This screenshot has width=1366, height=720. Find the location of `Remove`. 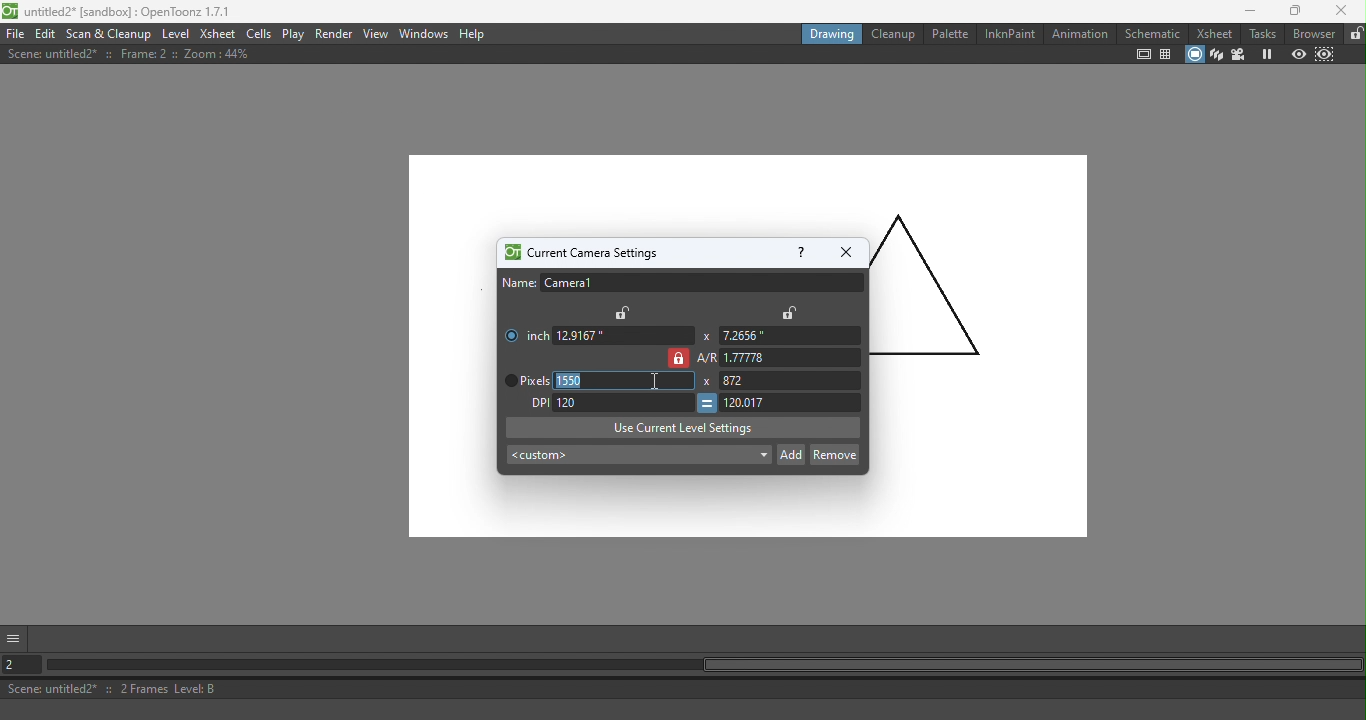

Remove is located at coordinates (834, 453).